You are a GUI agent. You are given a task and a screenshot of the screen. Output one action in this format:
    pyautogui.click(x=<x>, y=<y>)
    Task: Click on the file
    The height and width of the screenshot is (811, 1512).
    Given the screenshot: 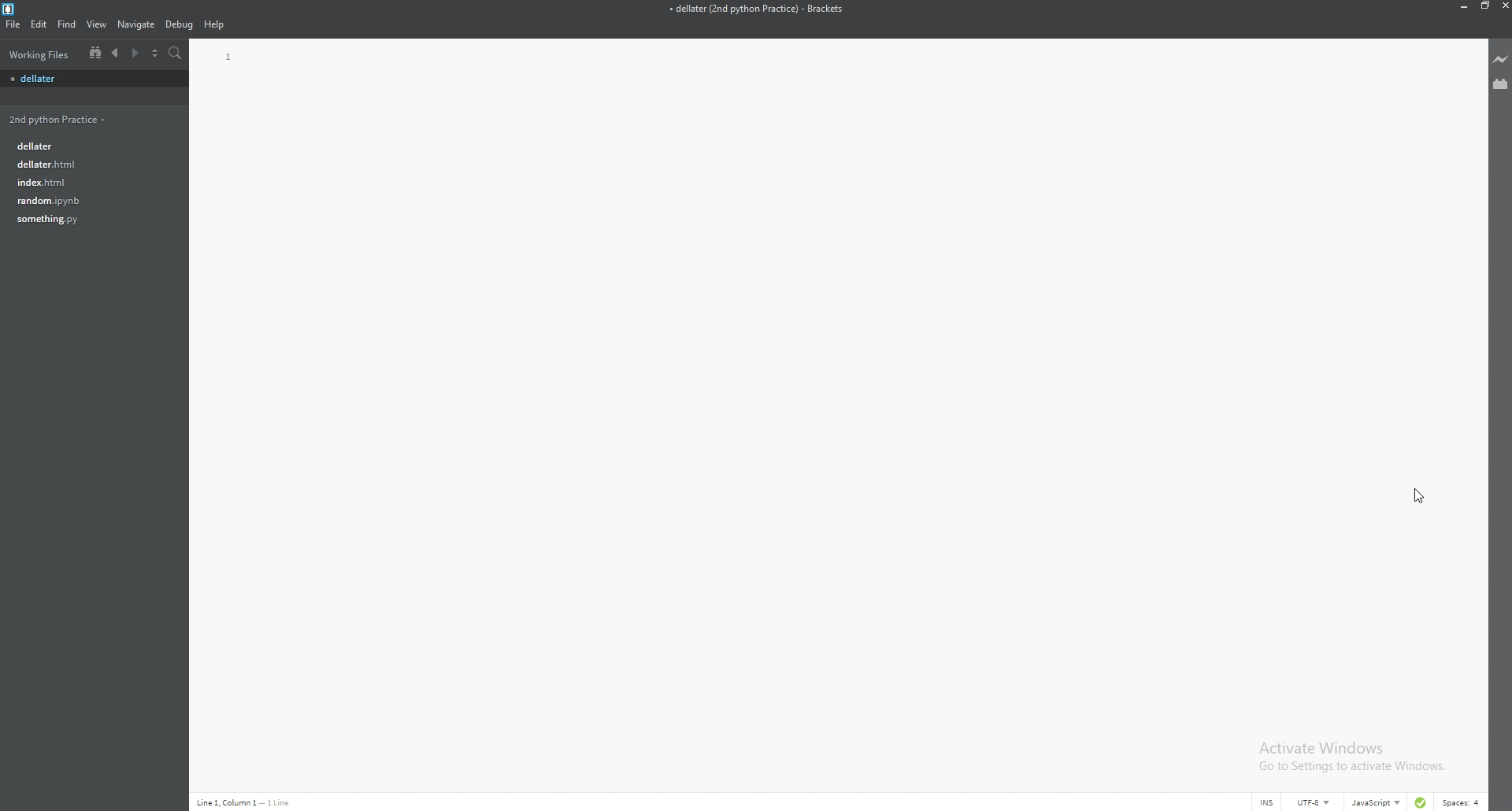 What is the action you would take?
    pyautogui.click(x=89, y=200)
    